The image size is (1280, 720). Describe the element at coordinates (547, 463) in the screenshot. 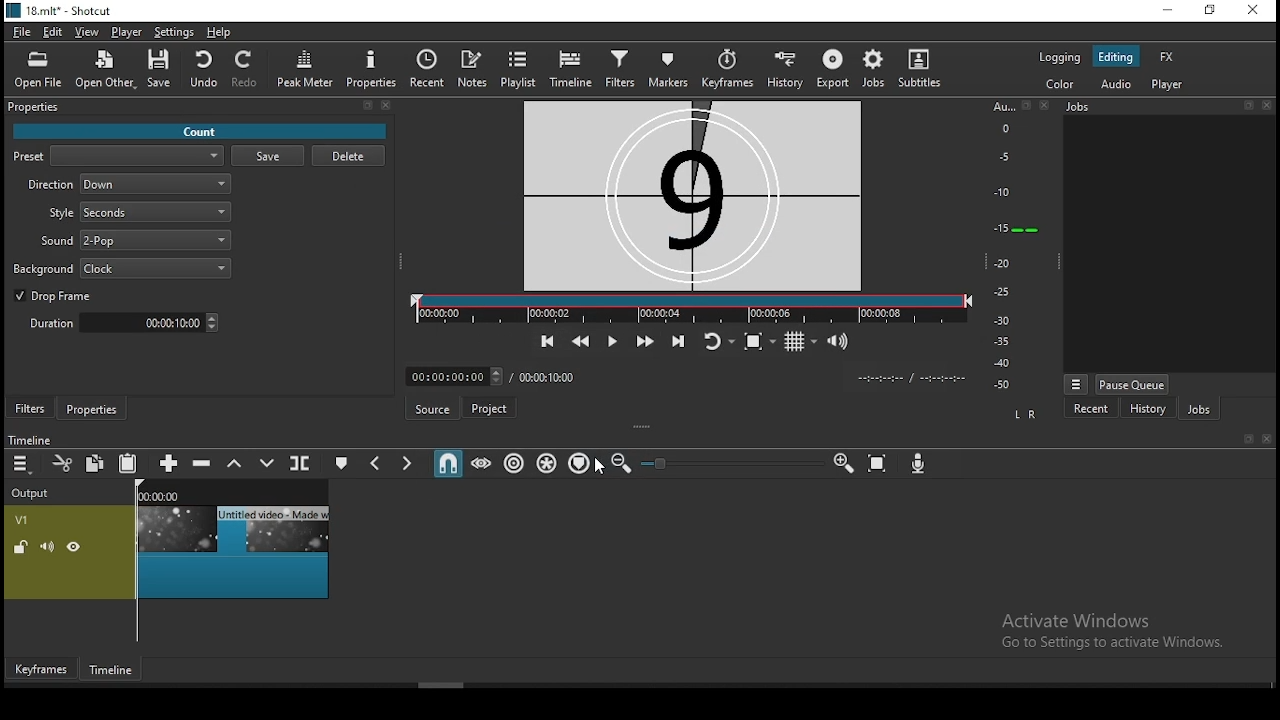

I see `ripple all tracks` at that location.